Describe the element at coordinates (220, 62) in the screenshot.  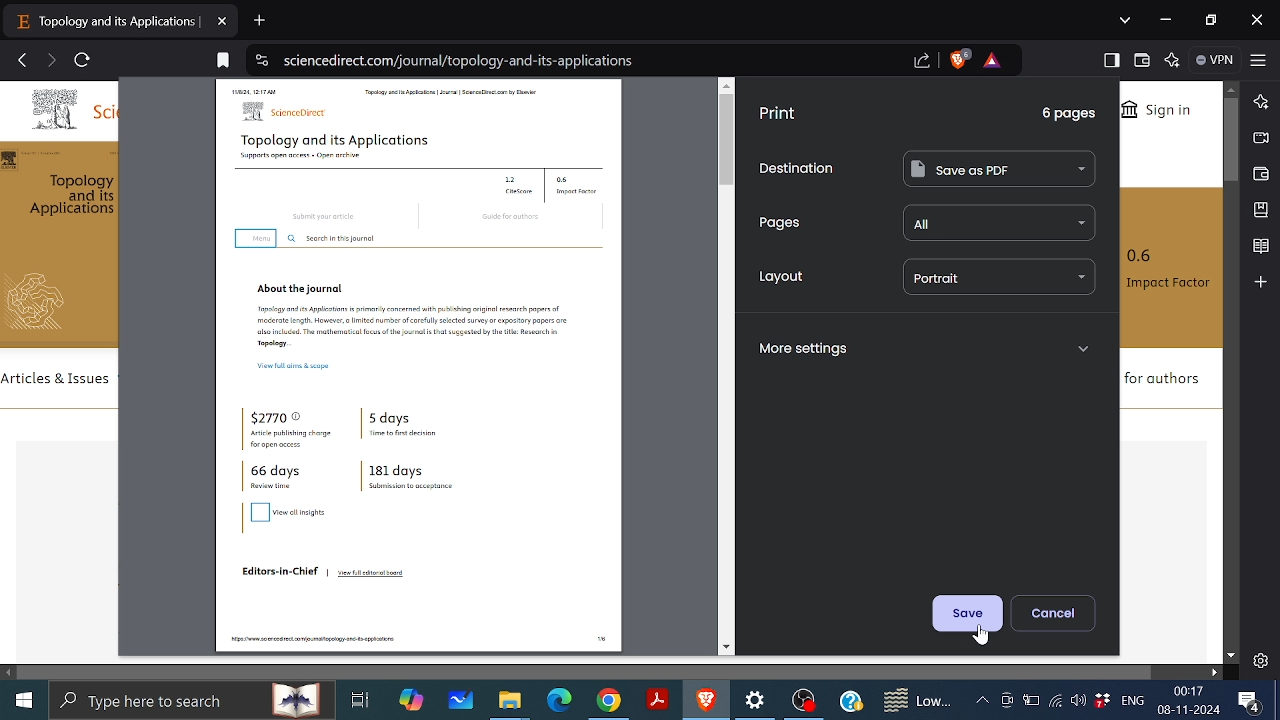
I see `bookmark this tab` at that location.